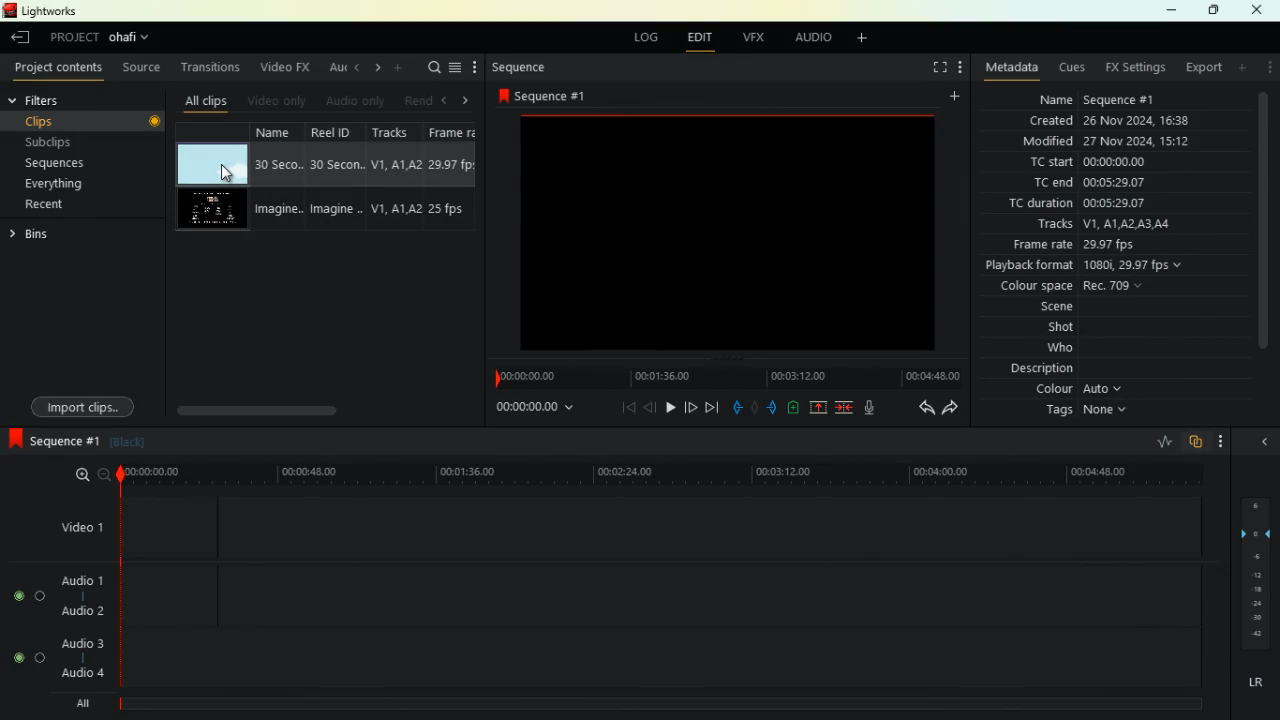 The width and height of the screenshot is (1280, 720). Describe the element at coordinates (56, 184) in the screenshot. I see `everything` at that location.